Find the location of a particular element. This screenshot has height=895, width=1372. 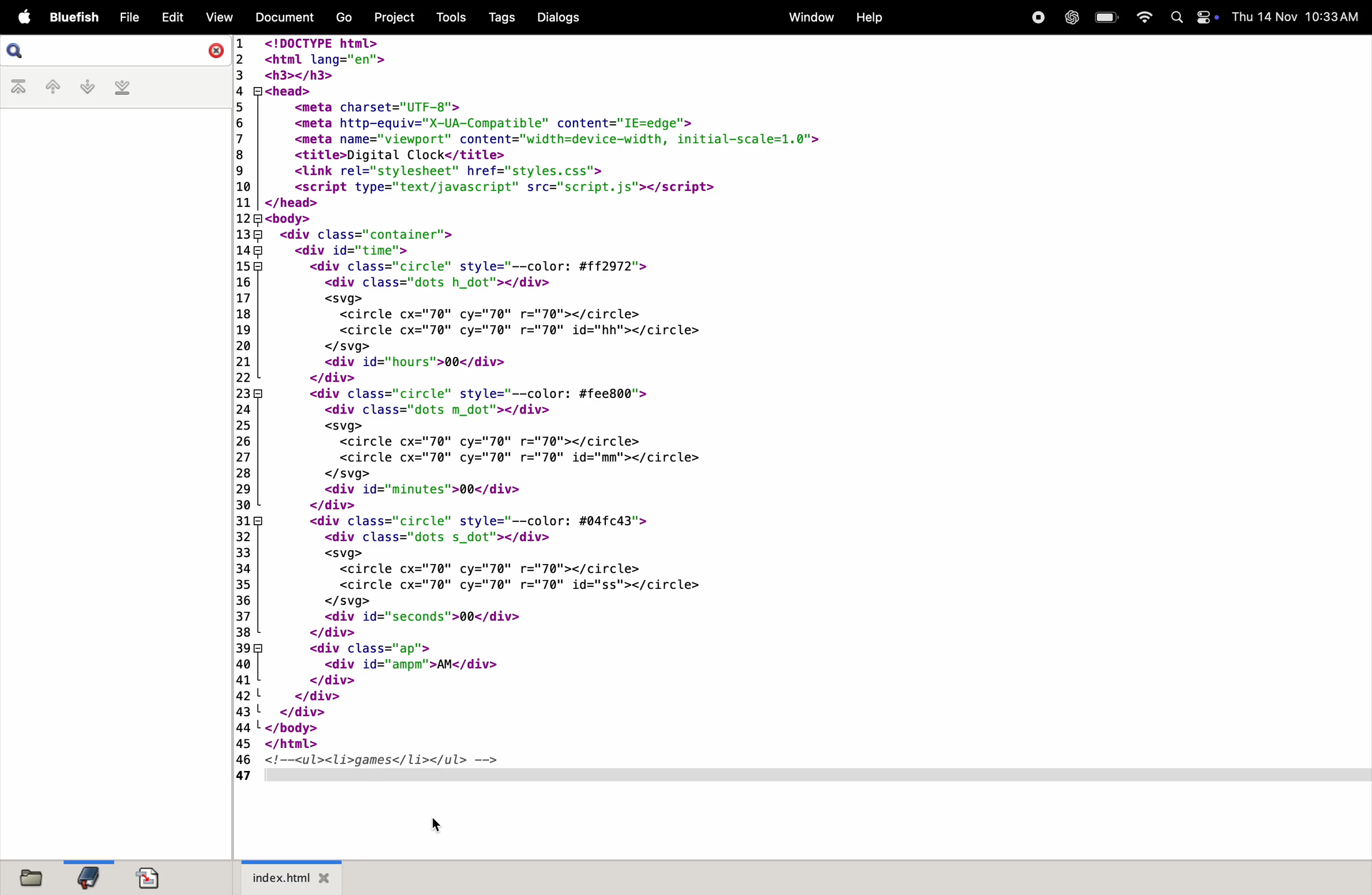

bookmark is located at coordinates (89, 878).